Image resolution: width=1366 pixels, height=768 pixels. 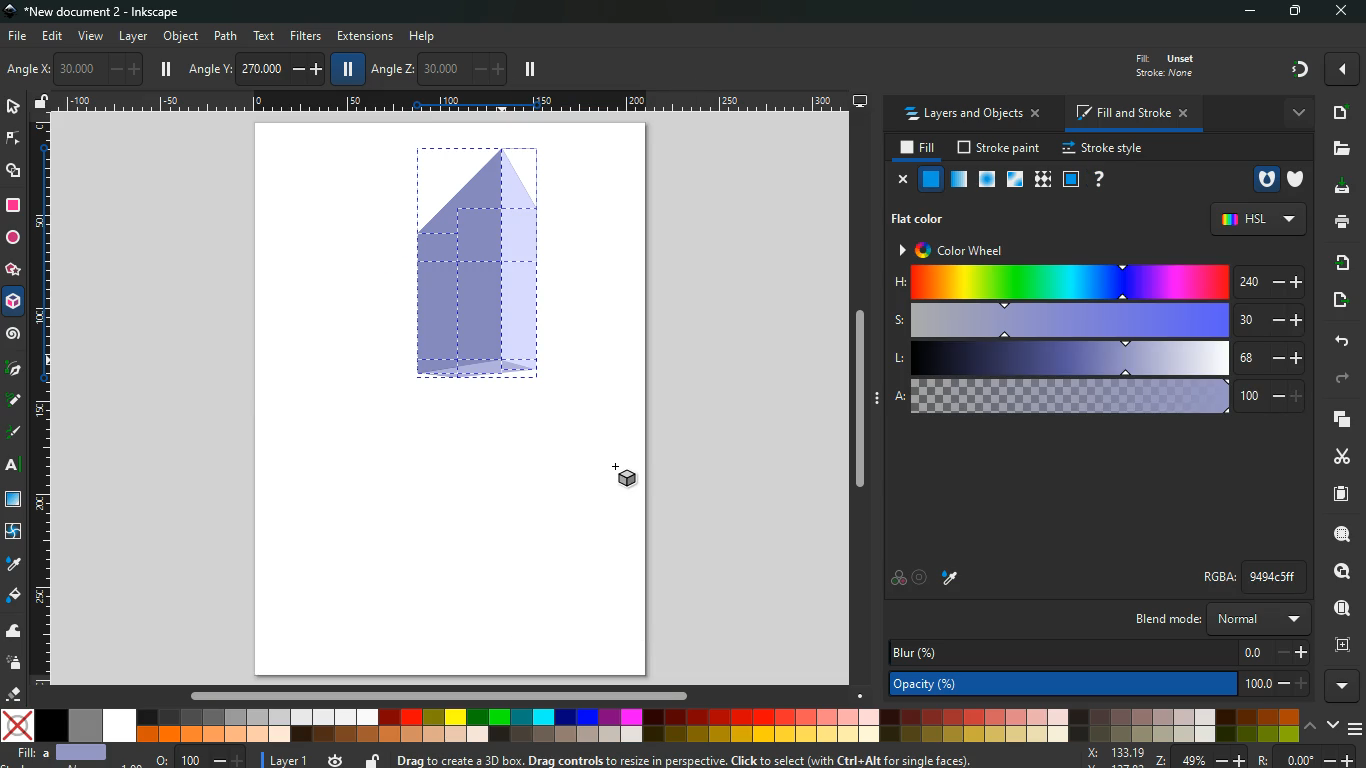 I want to click on Pic, so click(x=14, y=366).